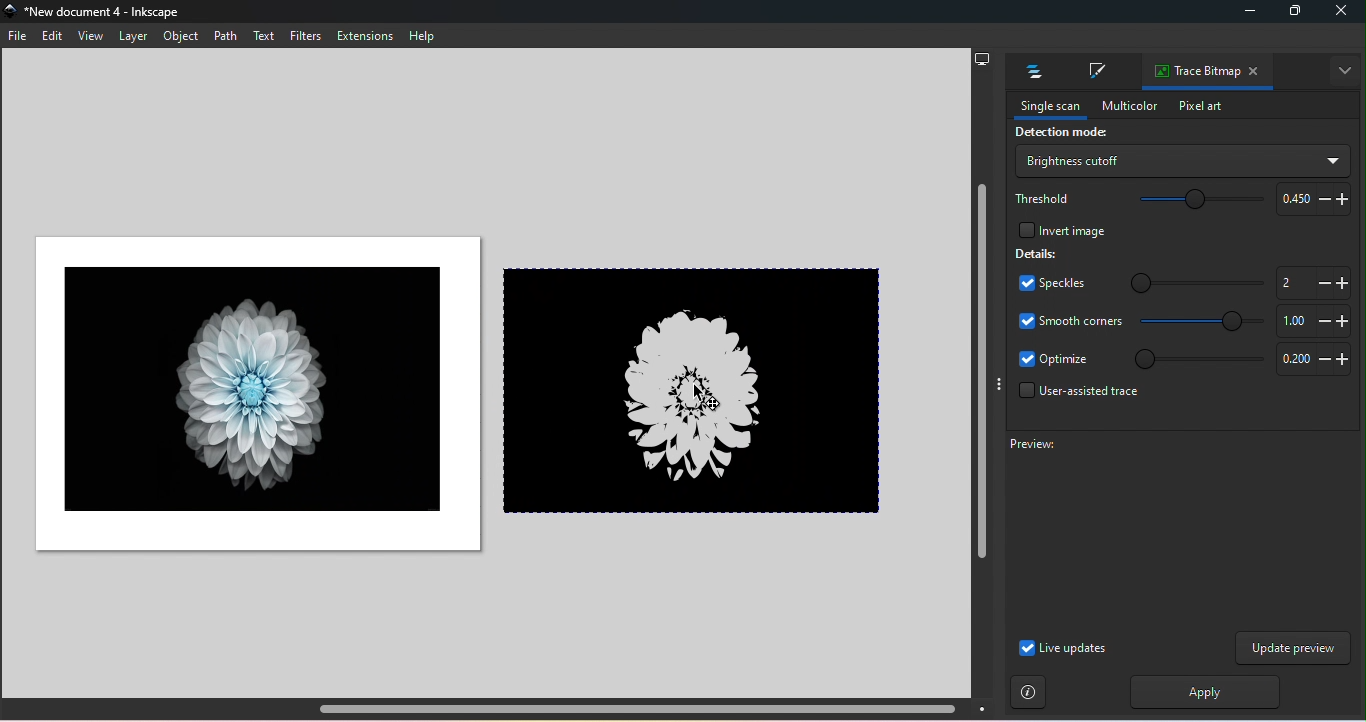 The image size is (1366, 722). Describe the element at coordinates (1094, 73) in the screenshot. I see `Fill and stroke` at that location.